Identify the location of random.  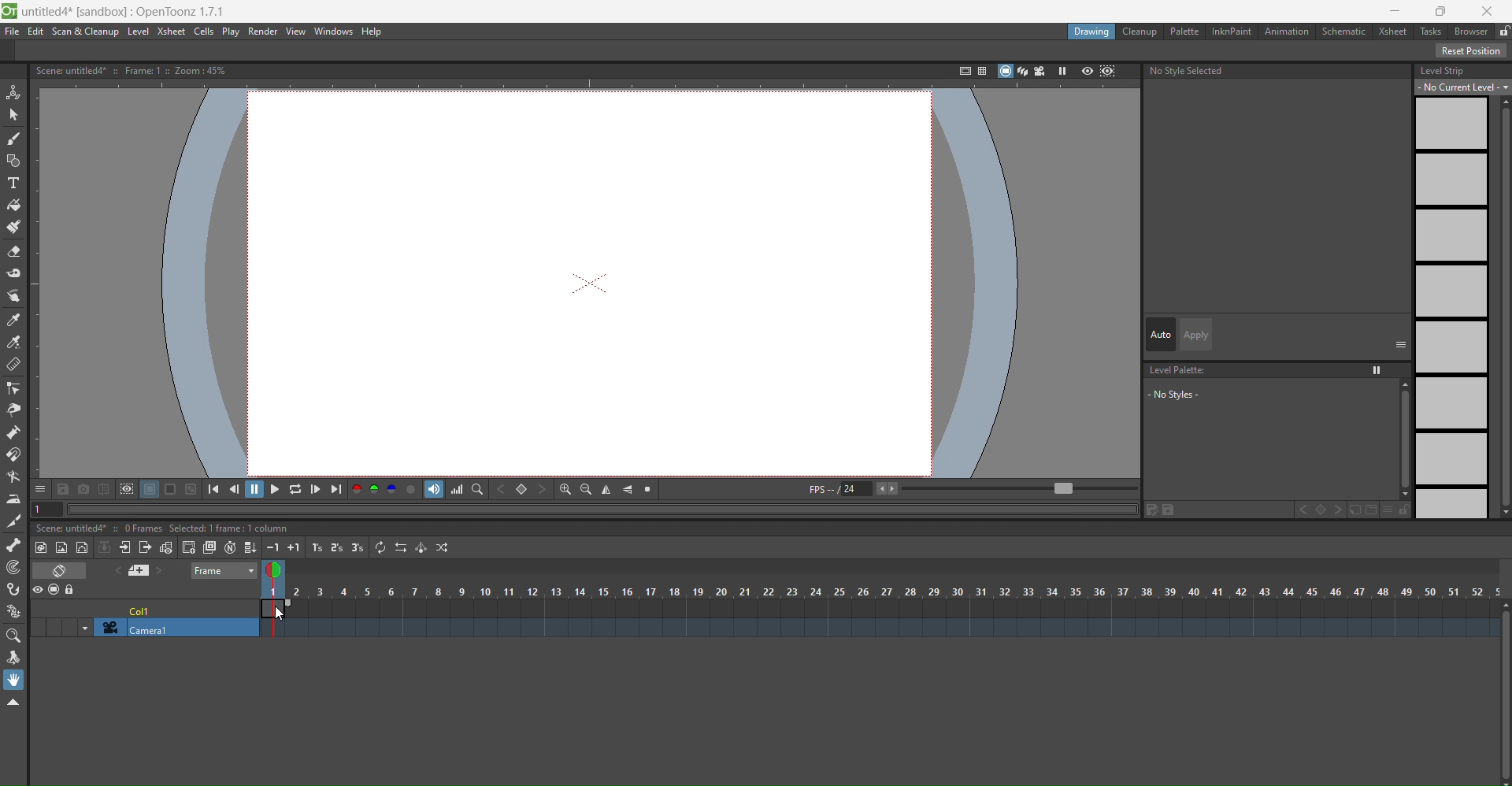
(444, 547).